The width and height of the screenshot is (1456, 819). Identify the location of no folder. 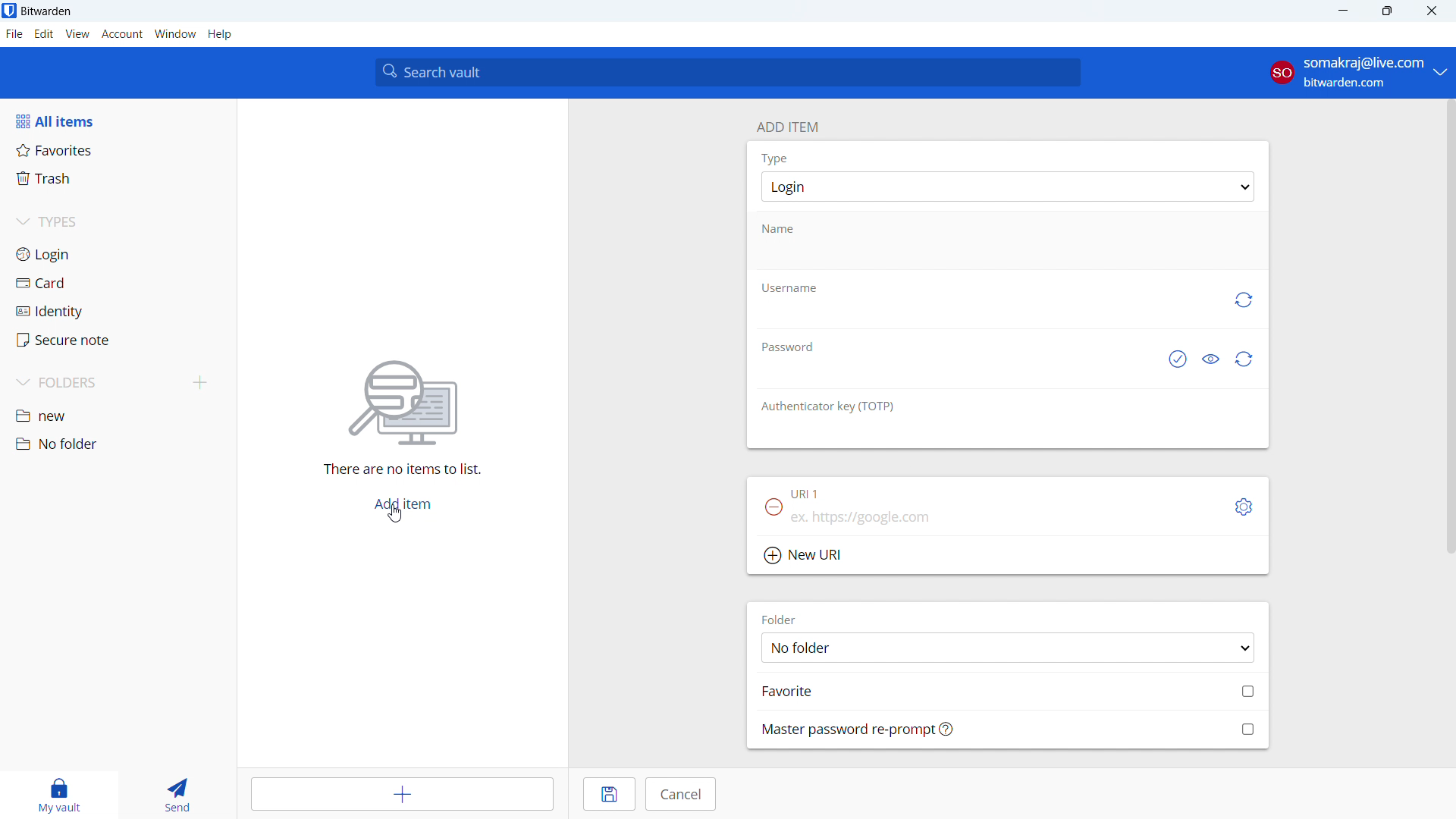
(116, 444).